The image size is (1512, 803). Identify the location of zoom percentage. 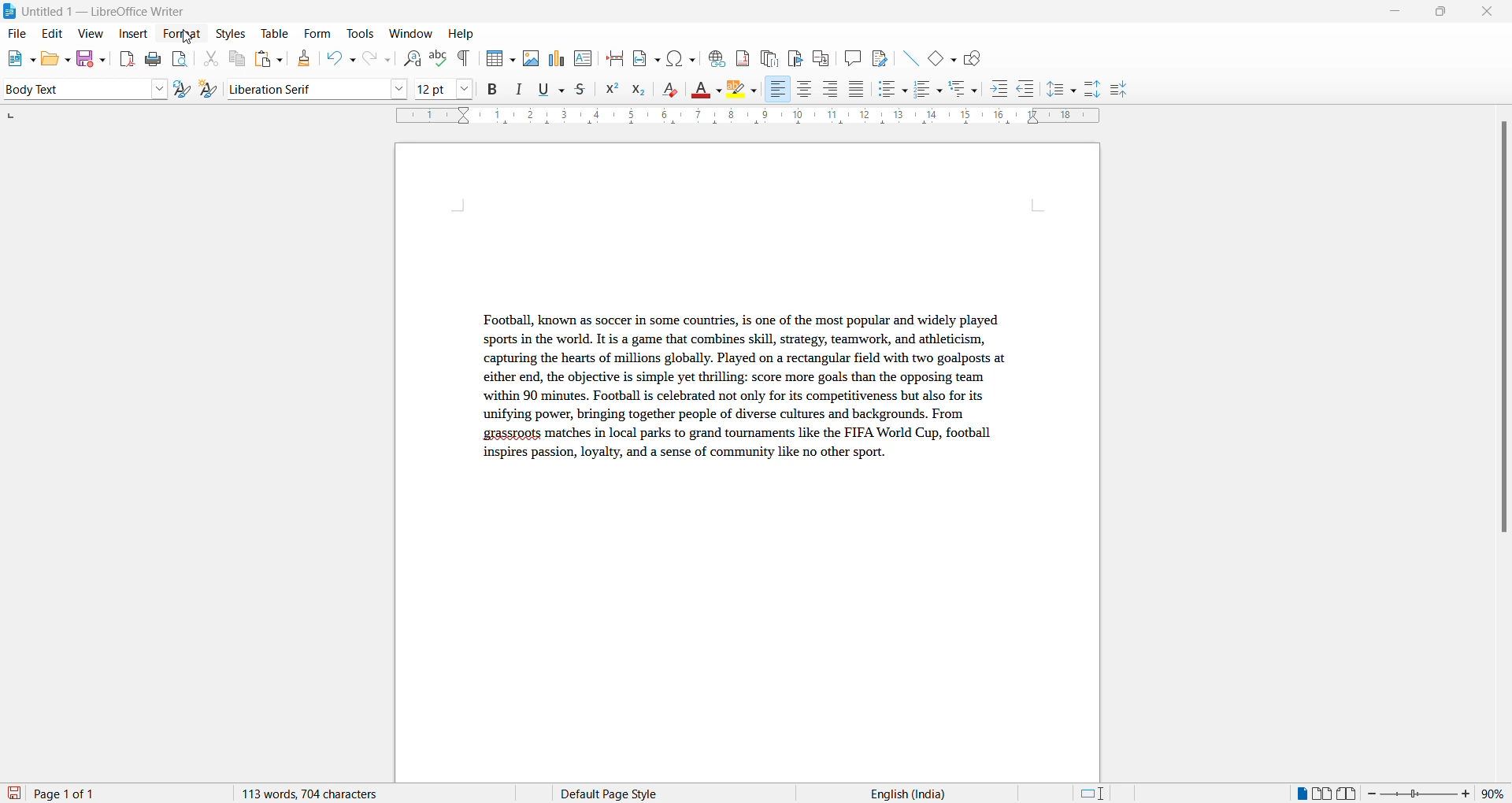
(1496, 792).